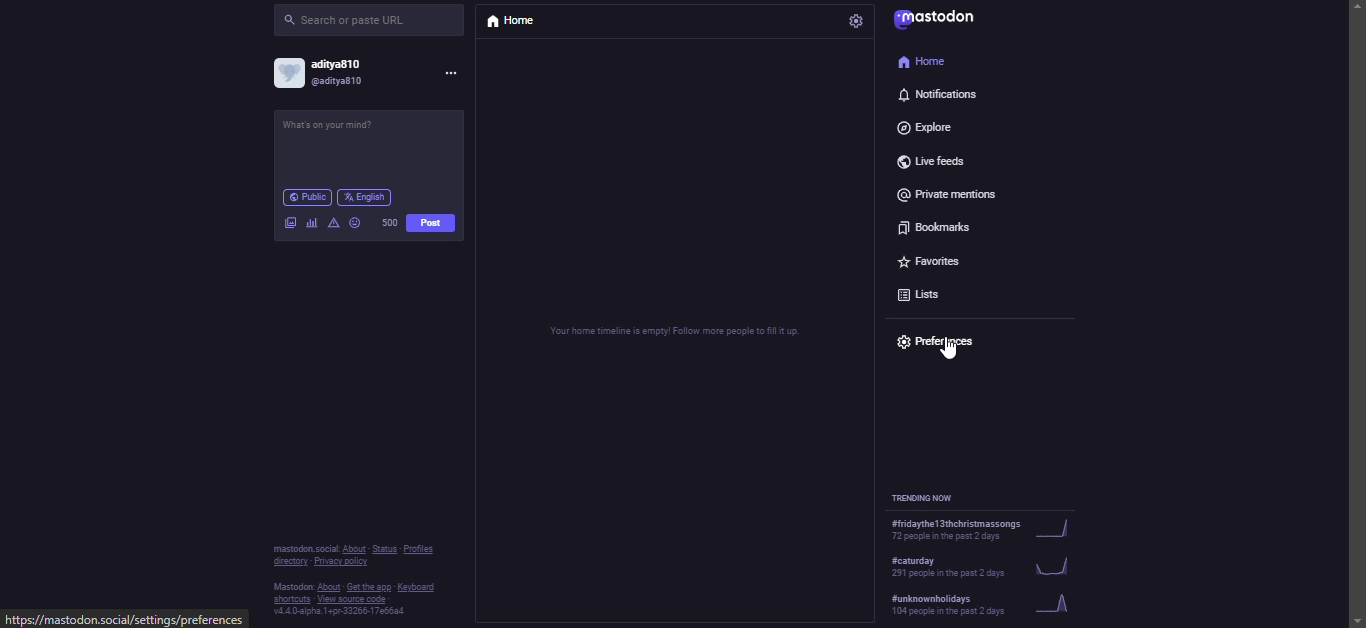  I want to click on scroll bar, so click(1353, 295).